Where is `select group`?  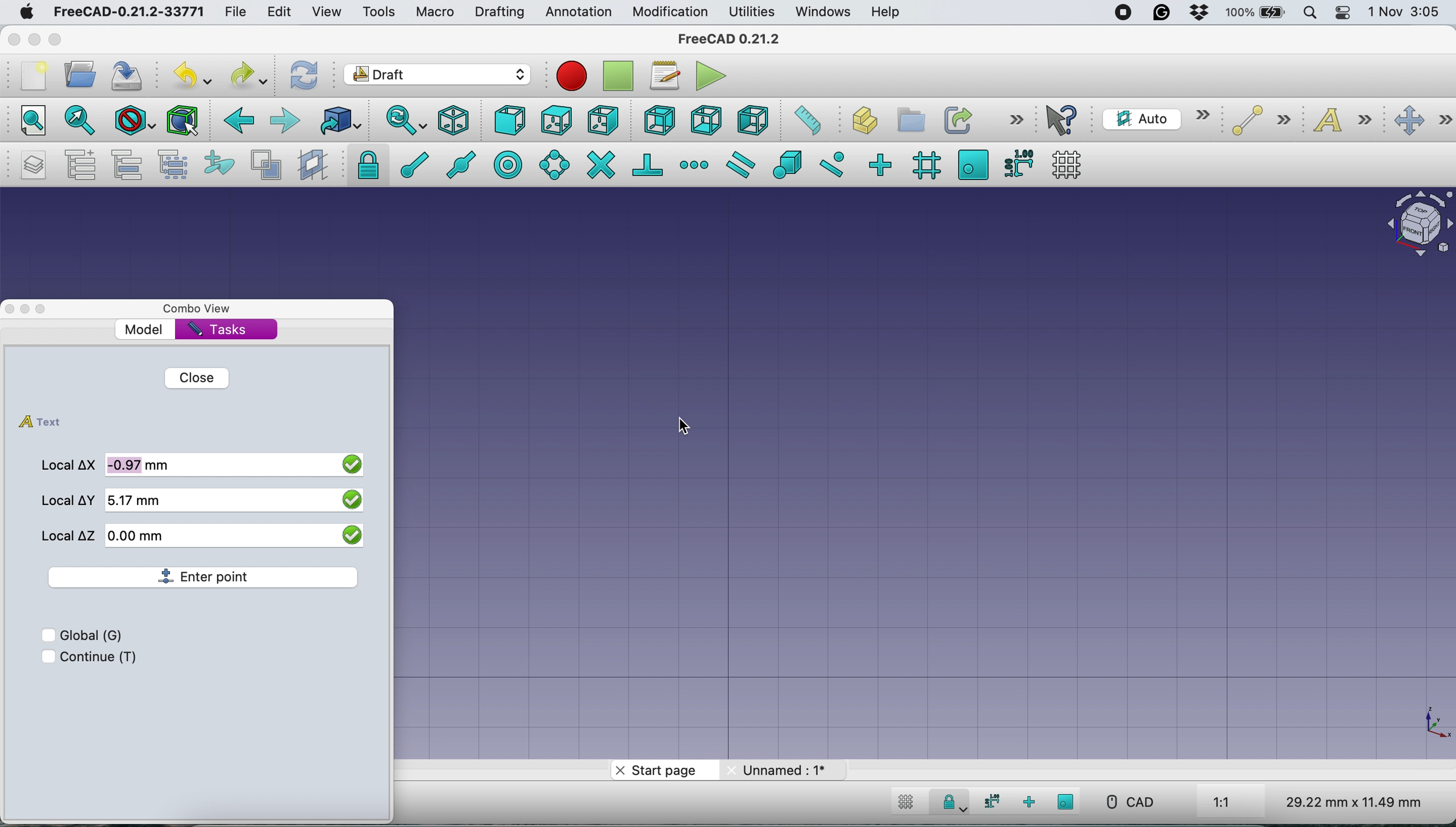 select group is located at coordinates (168, 161).